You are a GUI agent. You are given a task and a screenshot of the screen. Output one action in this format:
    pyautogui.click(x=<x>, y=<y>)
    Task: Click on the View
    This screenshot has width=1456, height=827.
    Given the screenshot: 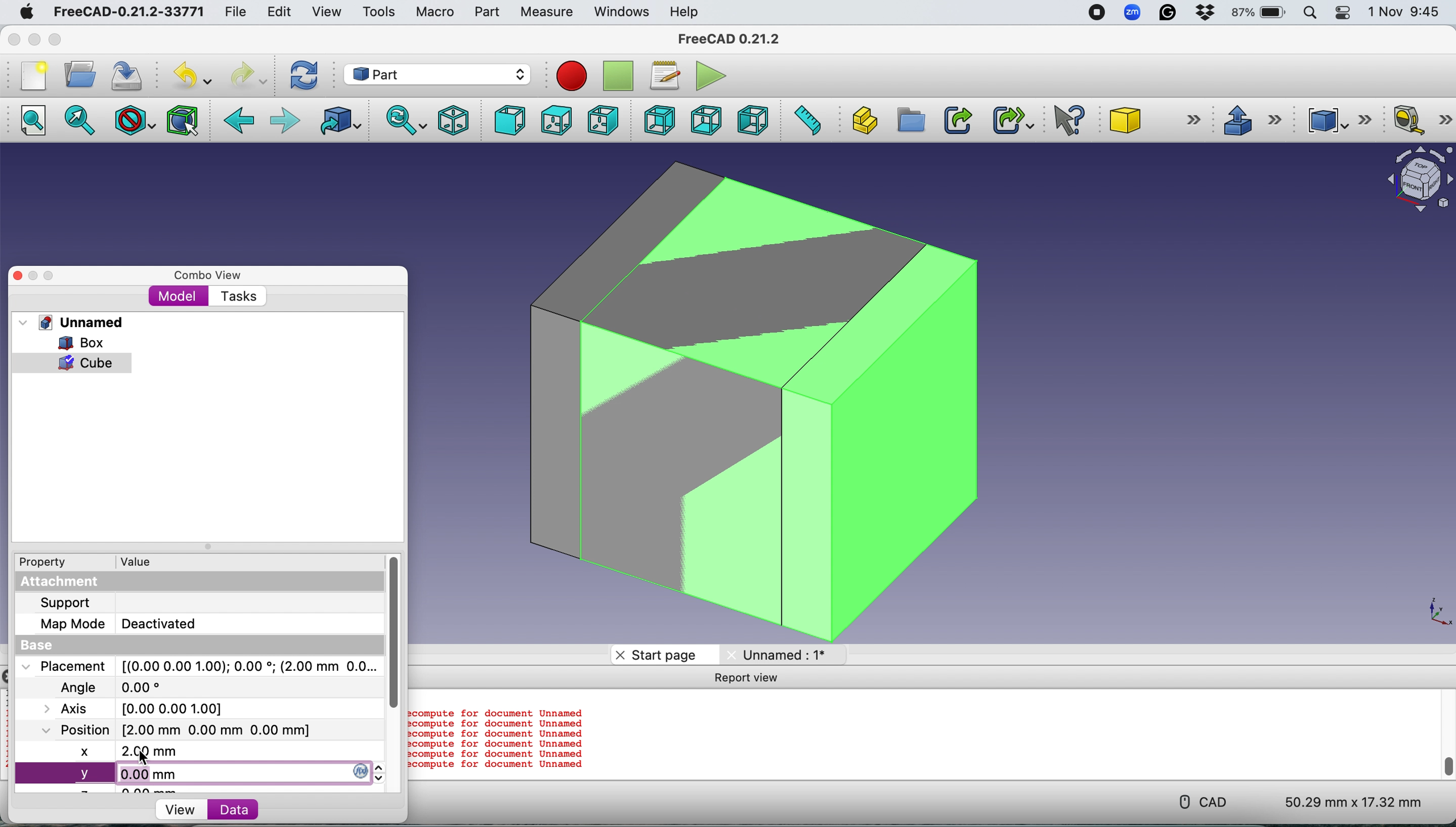 What is the action you would take?
    pyautogui.click(x=177, y=809)
    